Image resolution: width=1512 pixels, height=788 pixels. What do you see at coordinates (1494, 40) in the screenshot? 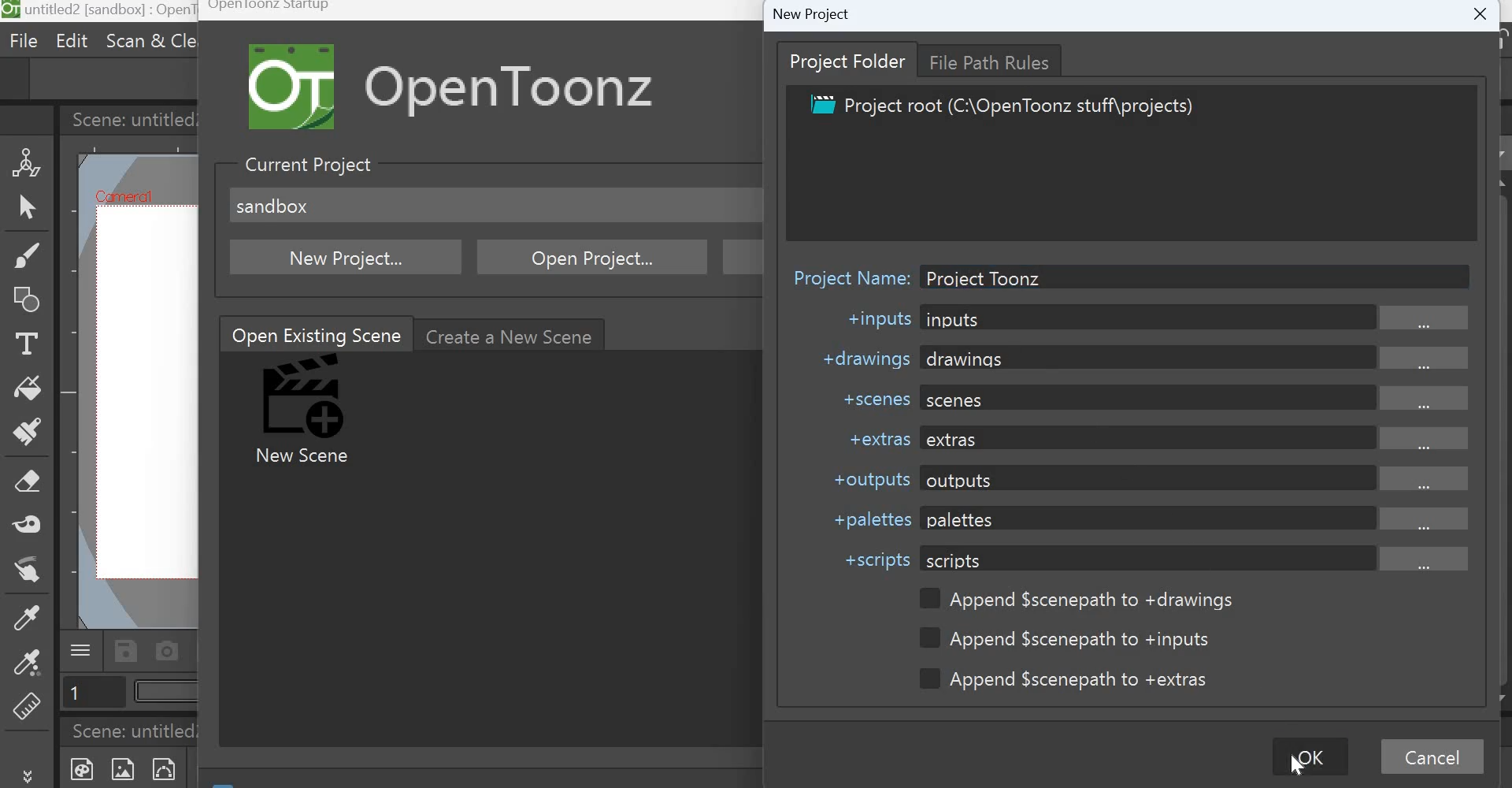
I see `Lock` at bounding box center [1494, 40].